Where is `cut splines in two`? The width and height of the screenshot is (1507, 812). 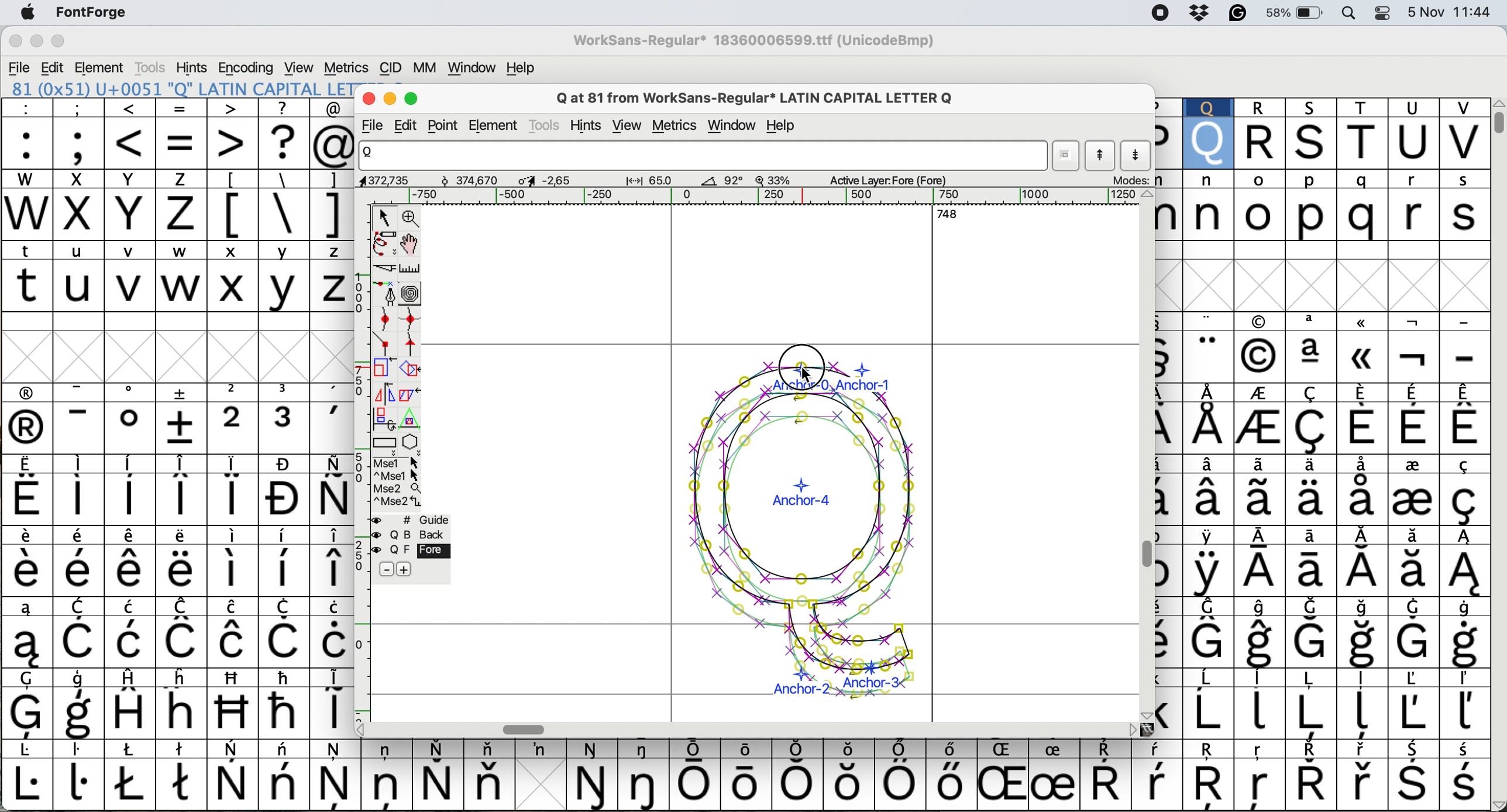 cut splines in two is located at coordinates (387, 270).